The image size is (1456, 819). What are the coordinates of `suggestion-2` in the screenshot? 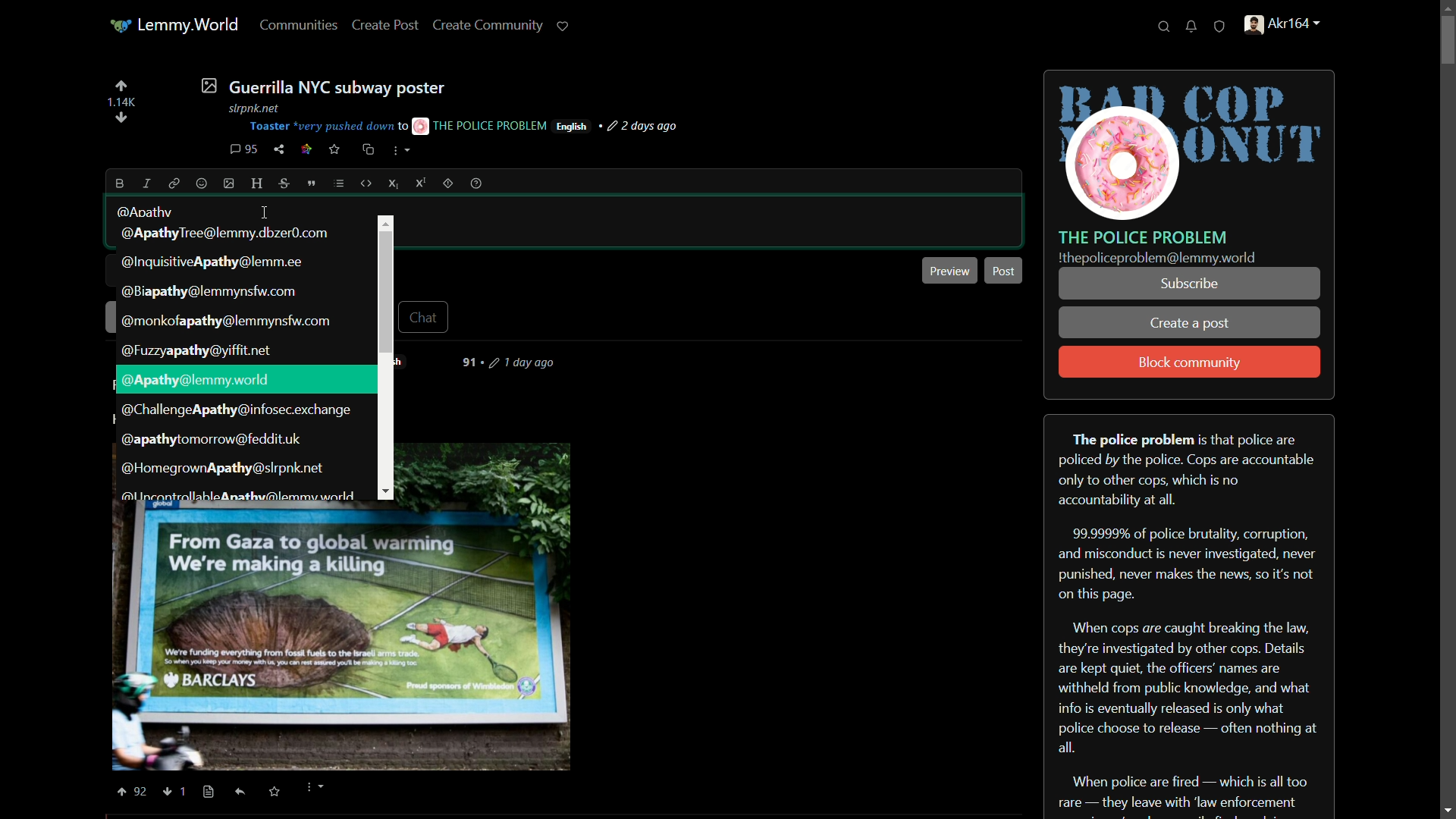 It's located at (215, 262).